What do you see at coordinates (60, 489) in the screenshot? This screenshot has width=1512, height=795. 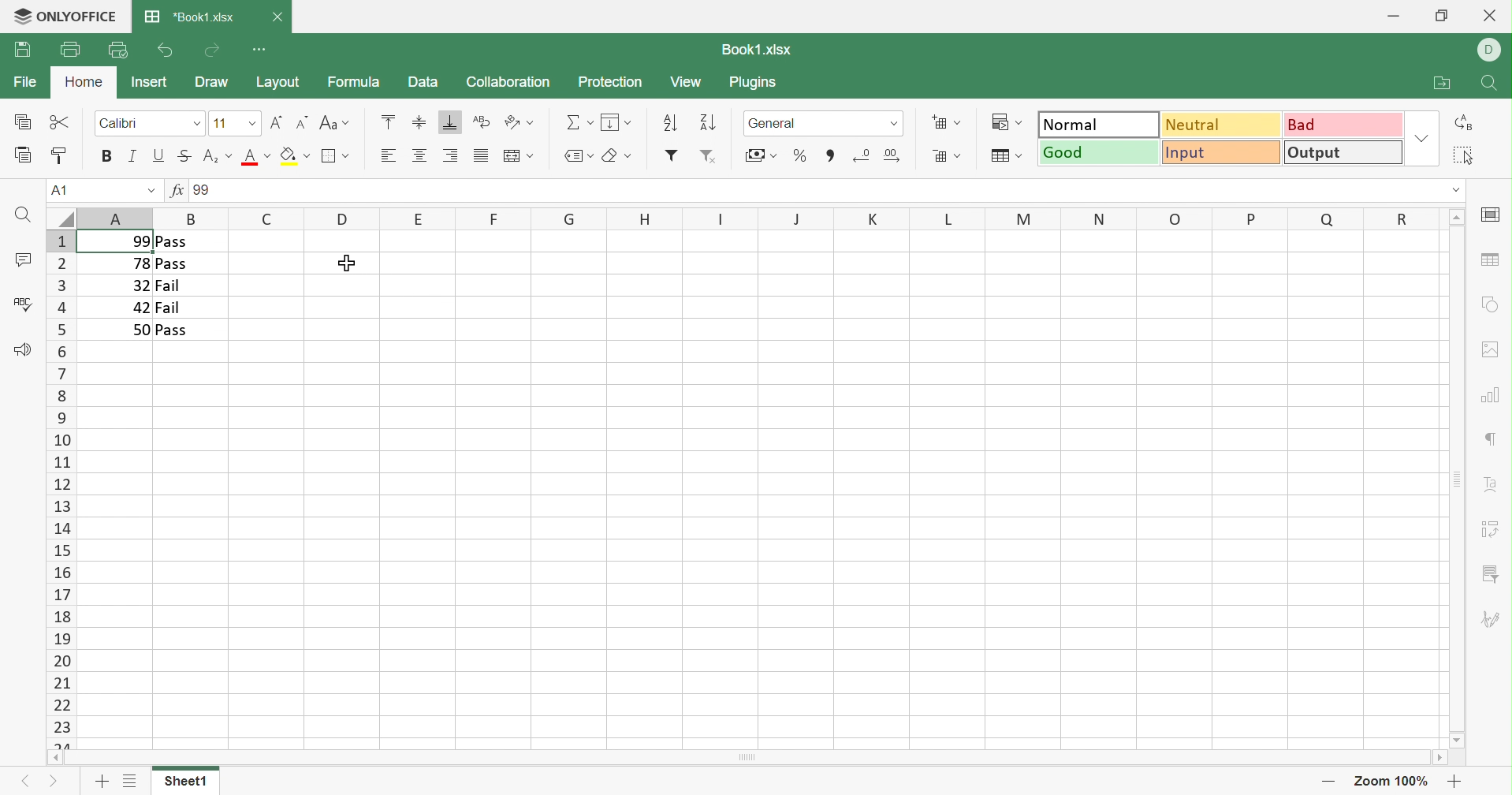 I see `Row names` at bounding box center [60, 489].